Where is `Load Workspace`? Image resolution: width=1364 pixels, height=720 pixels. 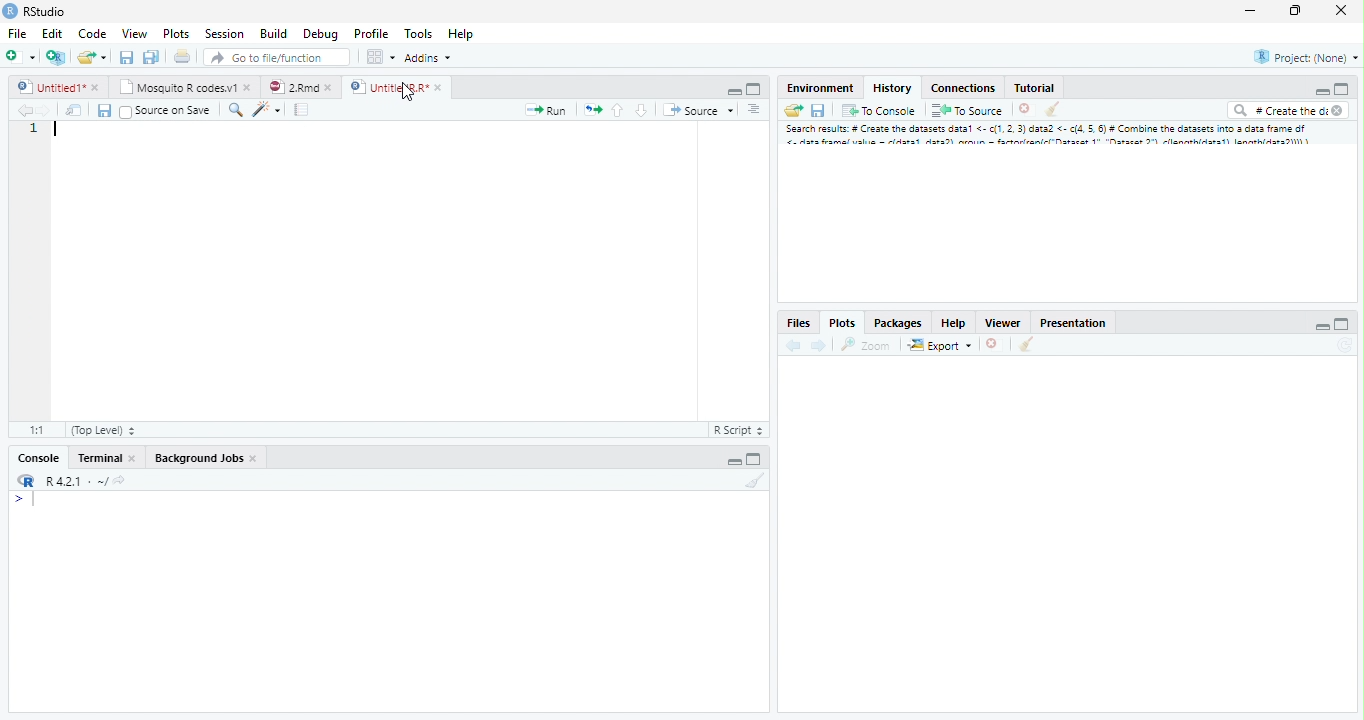
Load Workspace is located at coordinates (795, 113).